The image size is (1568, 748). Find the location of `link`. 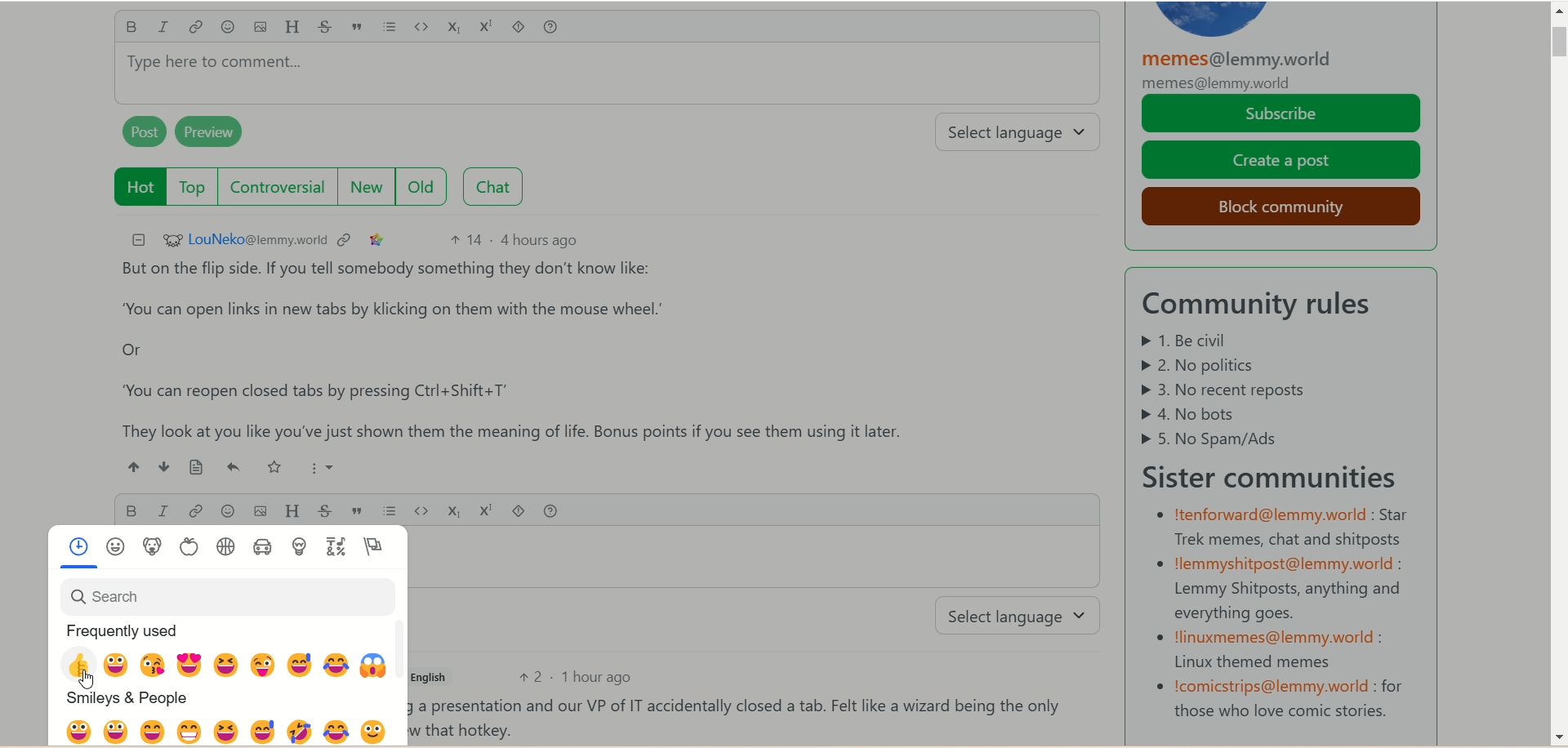

link is located at coordinates (377, 239).